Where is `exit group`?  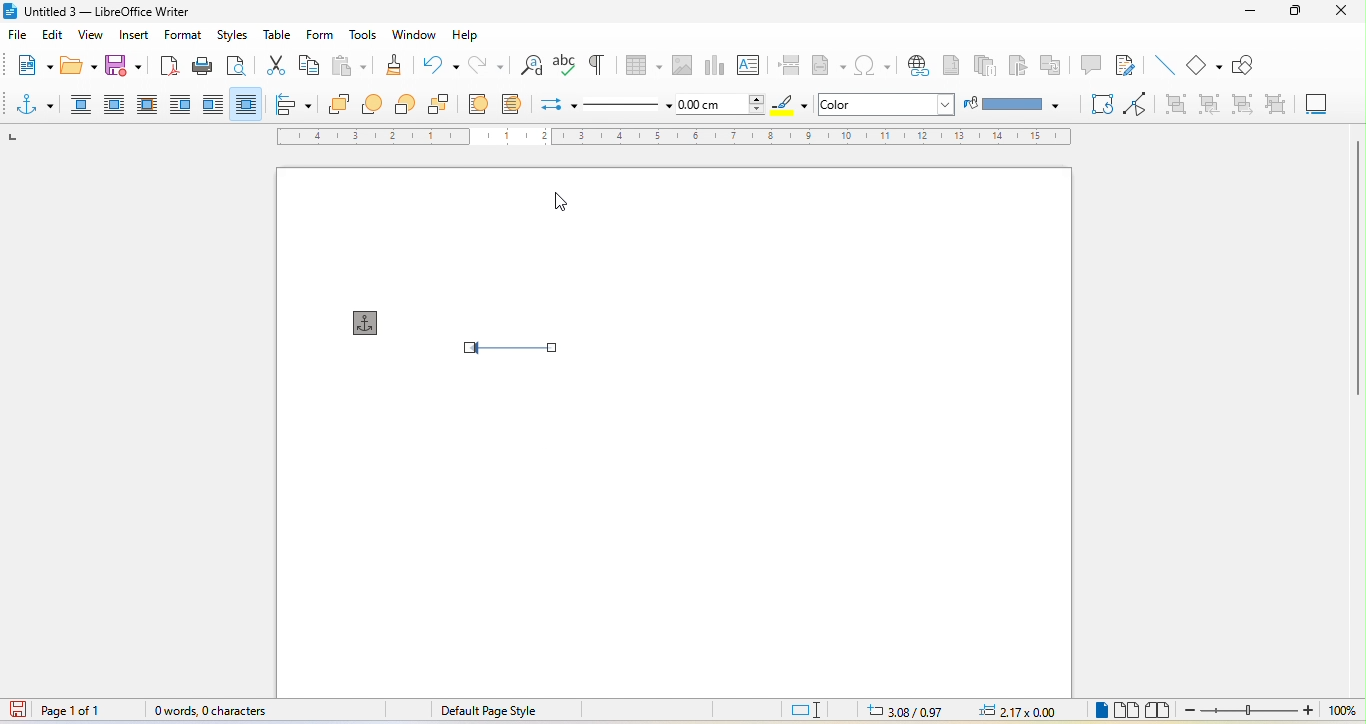 exit group is located at coordinates (1239, 103).